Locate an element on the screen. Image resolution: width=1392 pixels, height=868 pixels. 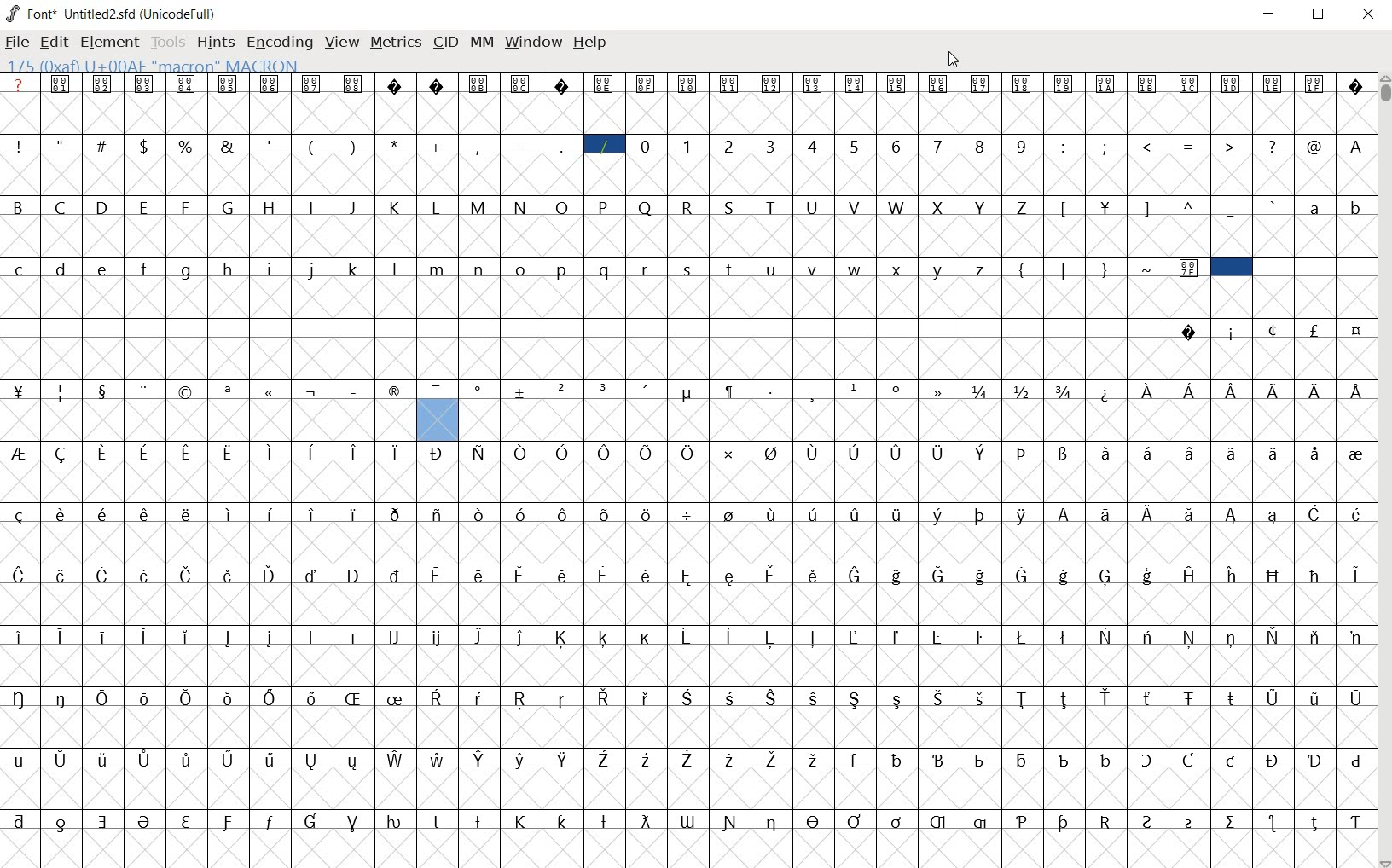
K is located at coordinates (397, 206).